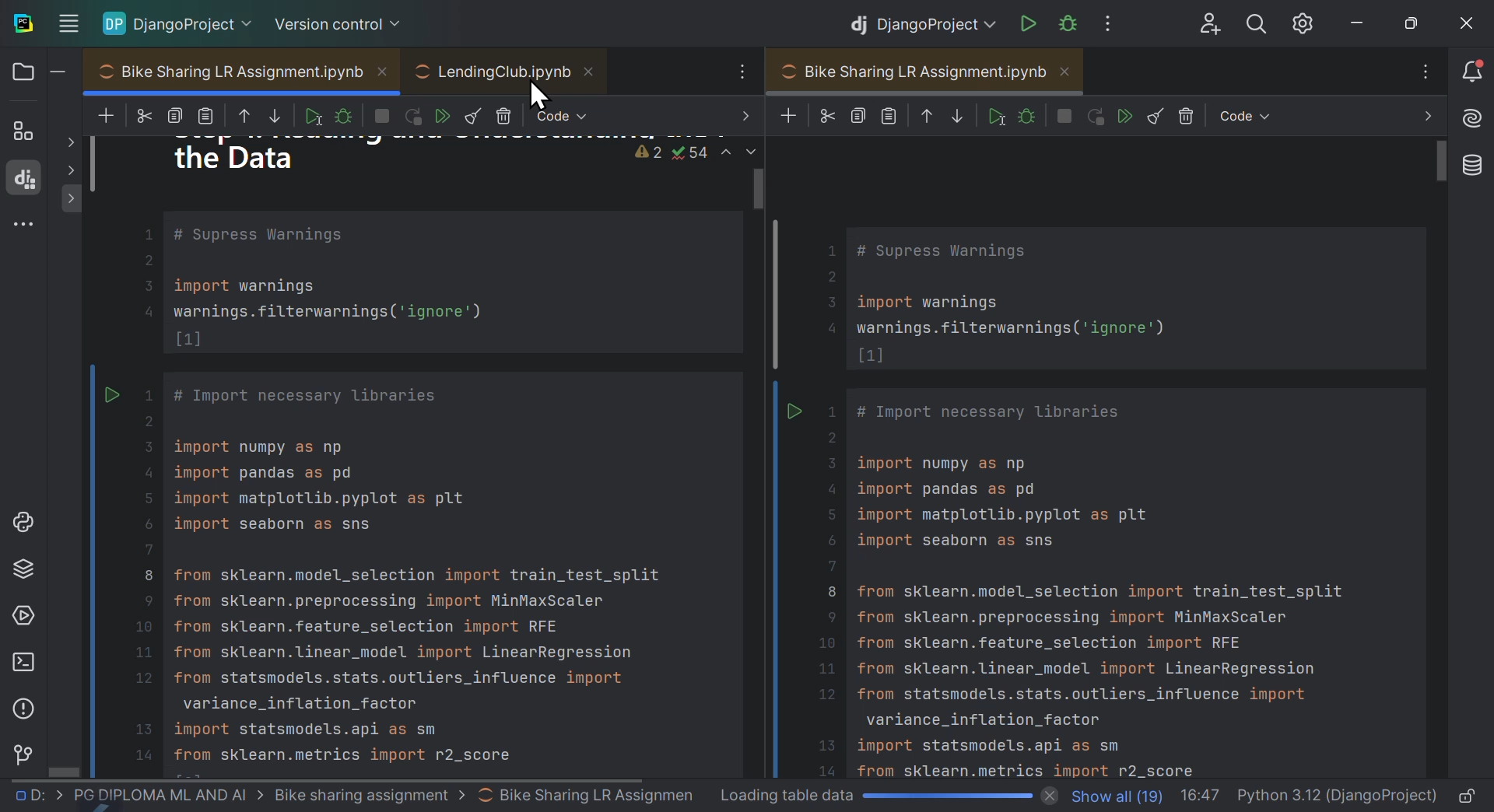  What do you see at coordinates (921, 20) in the screenshot?
I see `Django project` at bounding box center [921, 20].